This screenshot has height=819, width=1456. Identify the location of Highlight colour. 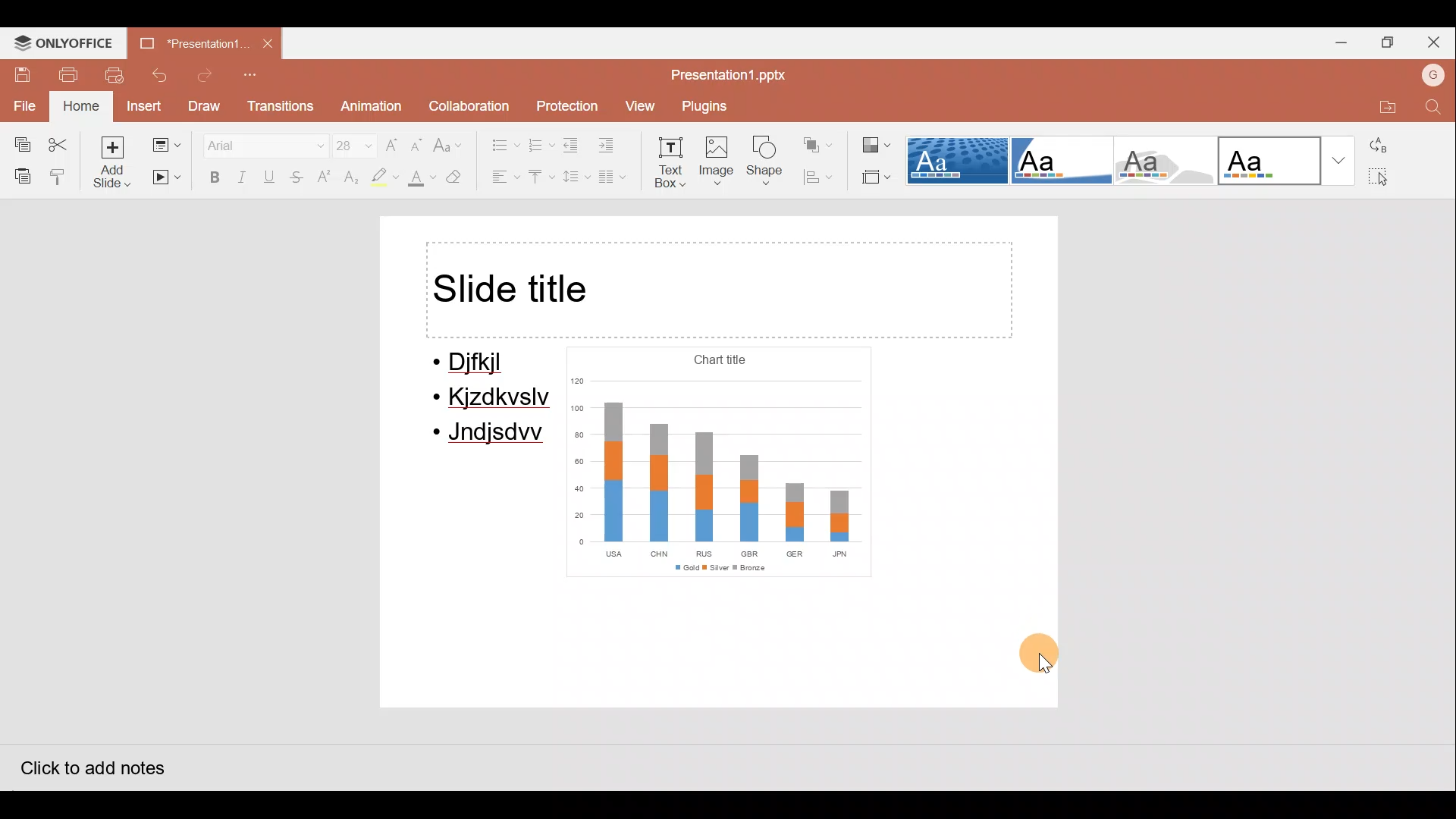
(384, 178).